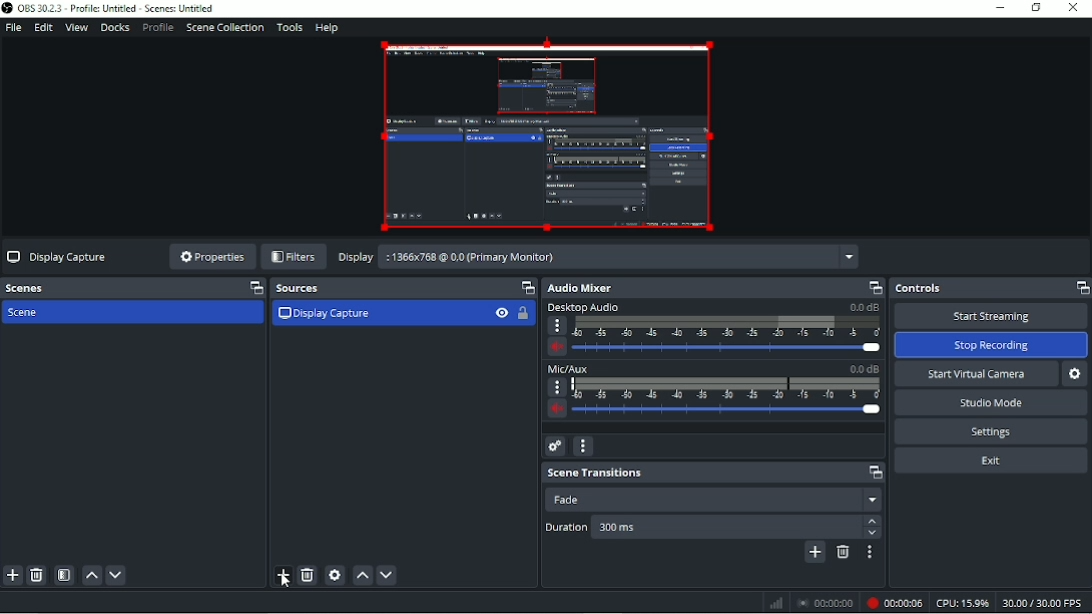  Describe the element at coordinates (356, 257) in the screenshot. I see `Display` at that location.